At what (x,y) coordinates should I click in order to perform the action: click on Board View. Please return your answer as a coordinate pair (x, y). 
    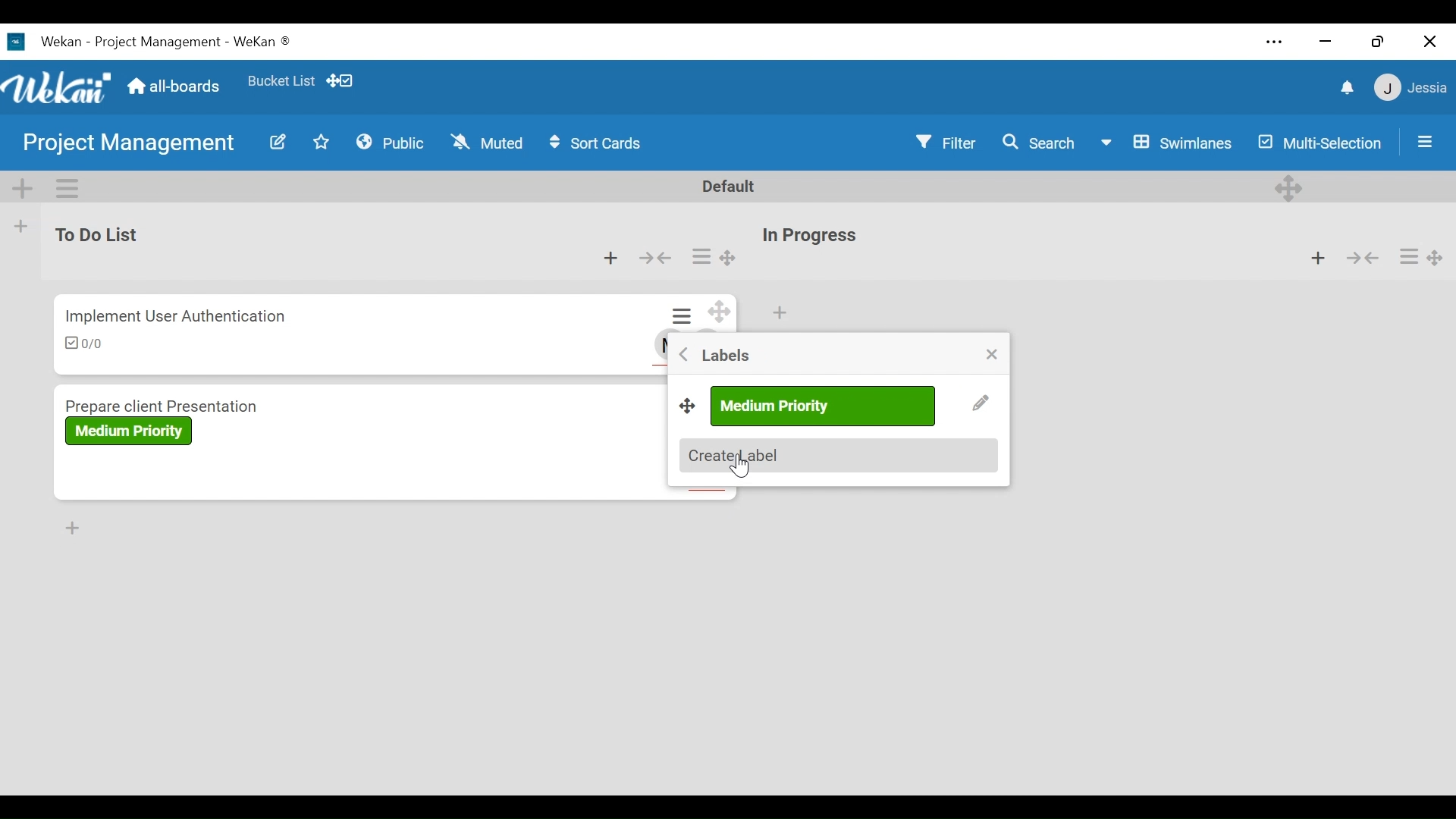
    Looking at the image, I should click on (1166, 143).